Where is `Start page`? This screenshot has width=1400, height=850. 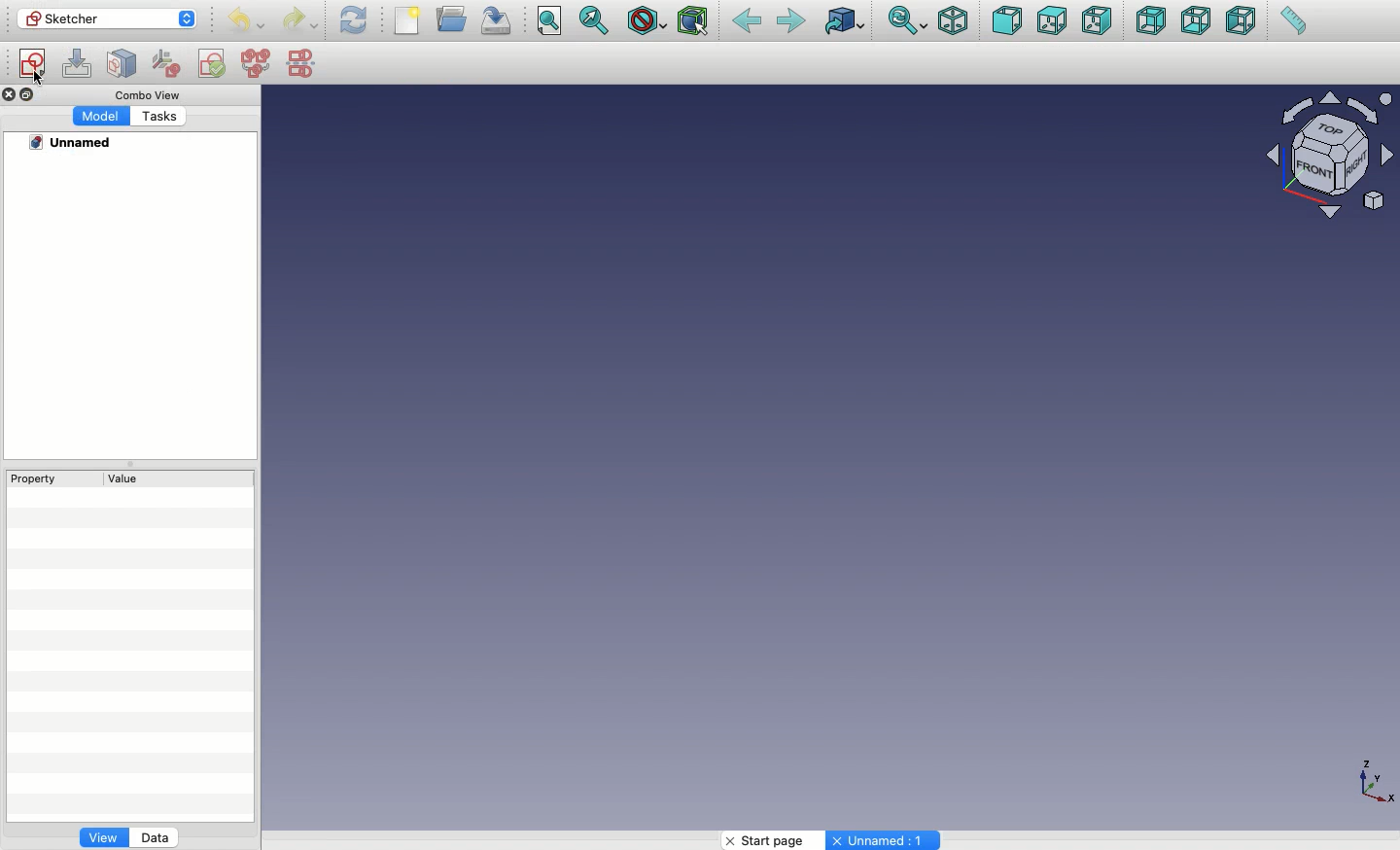
Start page is located at coordinates (772, 840).